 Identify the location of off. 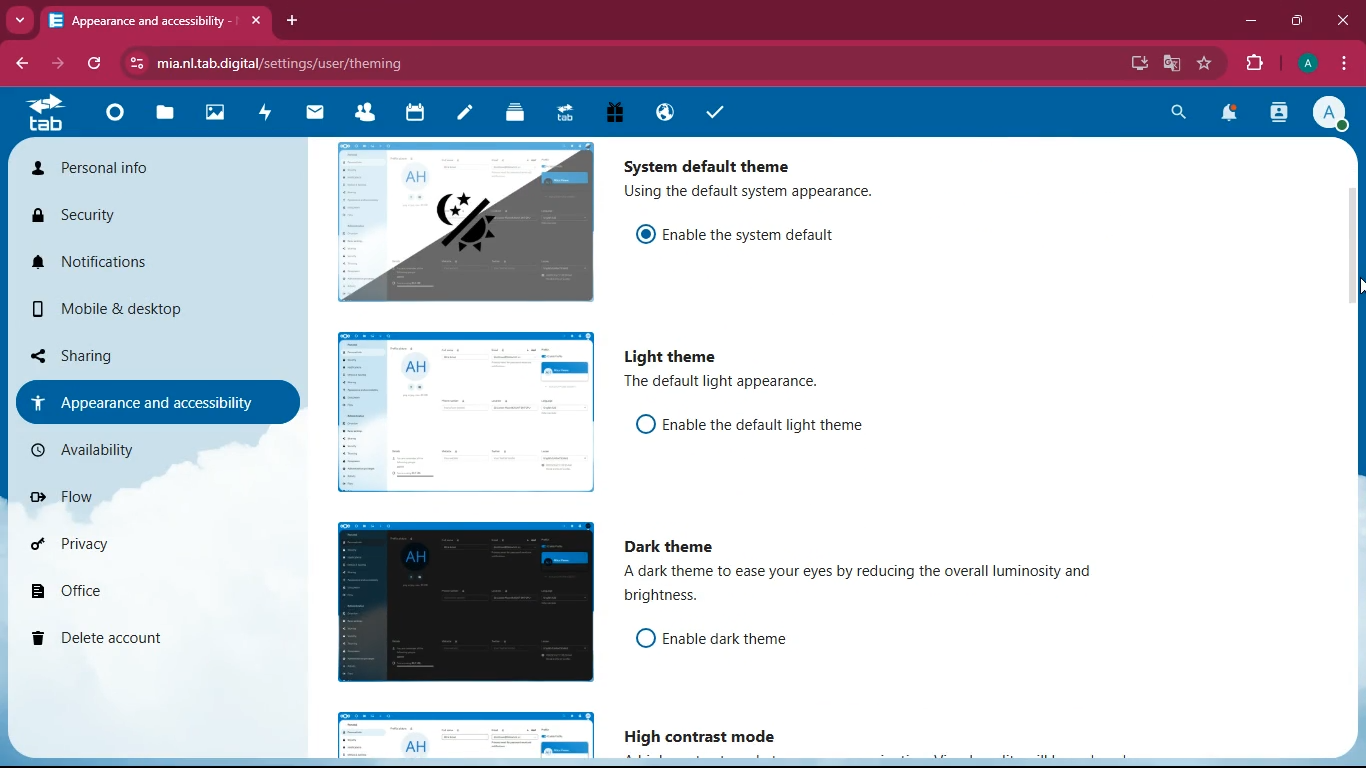
(645, 424).